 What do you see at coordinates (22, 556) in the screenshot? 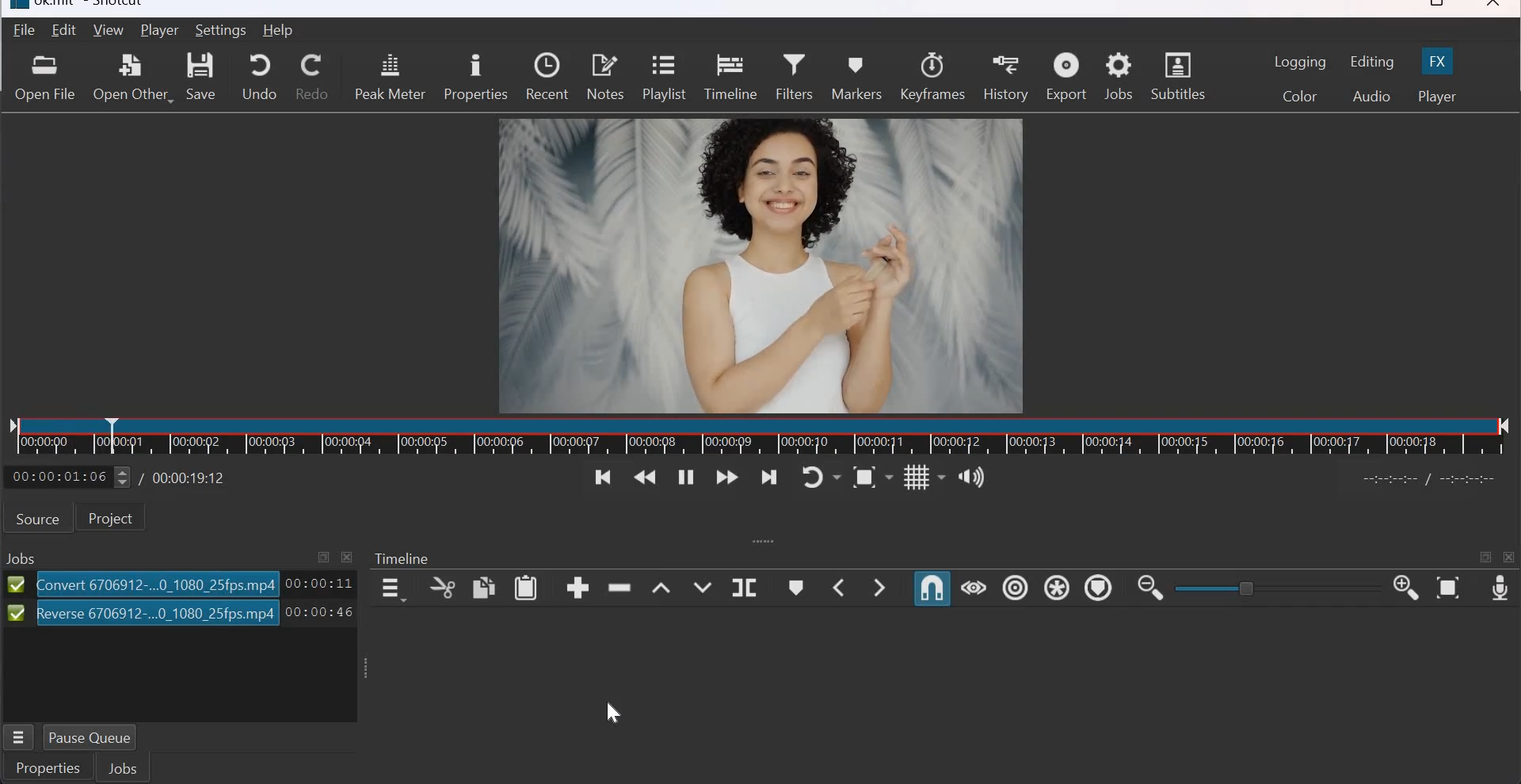
I see `Jobs` at bounding box center [22, 556].